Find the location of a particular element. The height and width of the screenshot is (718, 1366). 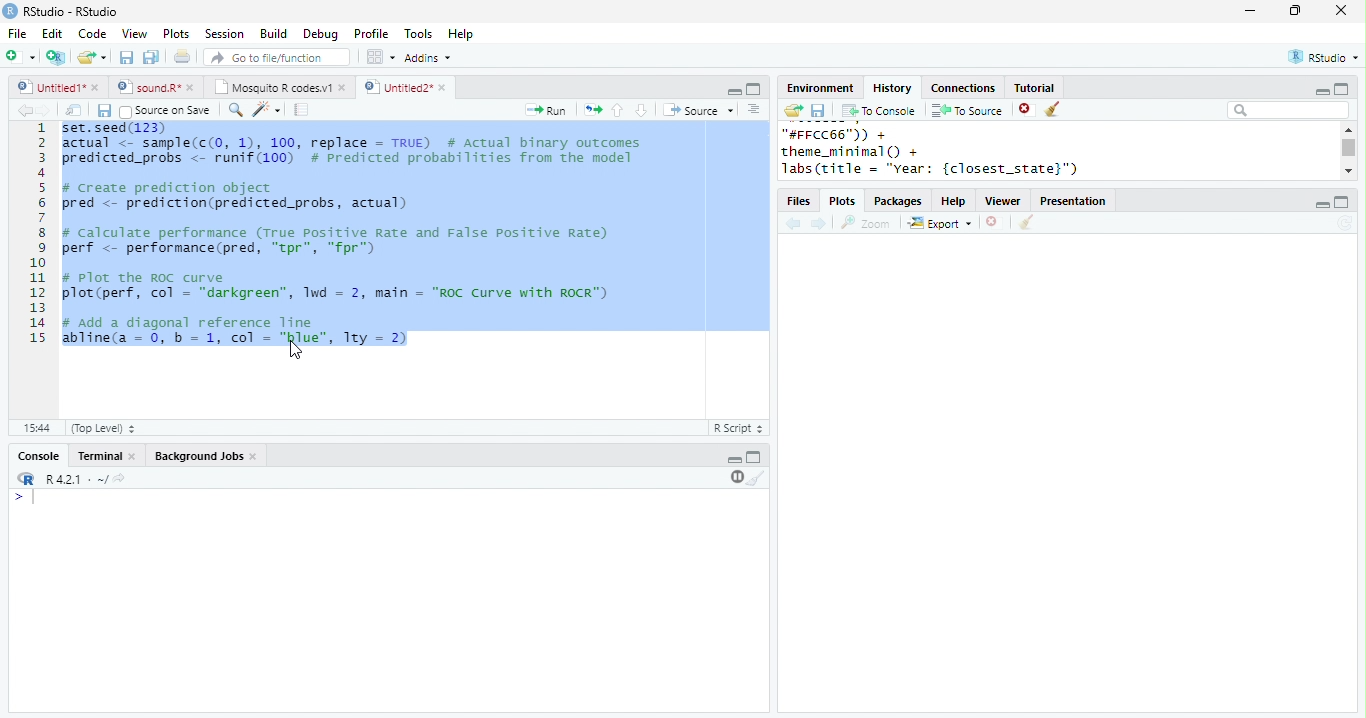

minimize is located at coordinates (1249, 10).